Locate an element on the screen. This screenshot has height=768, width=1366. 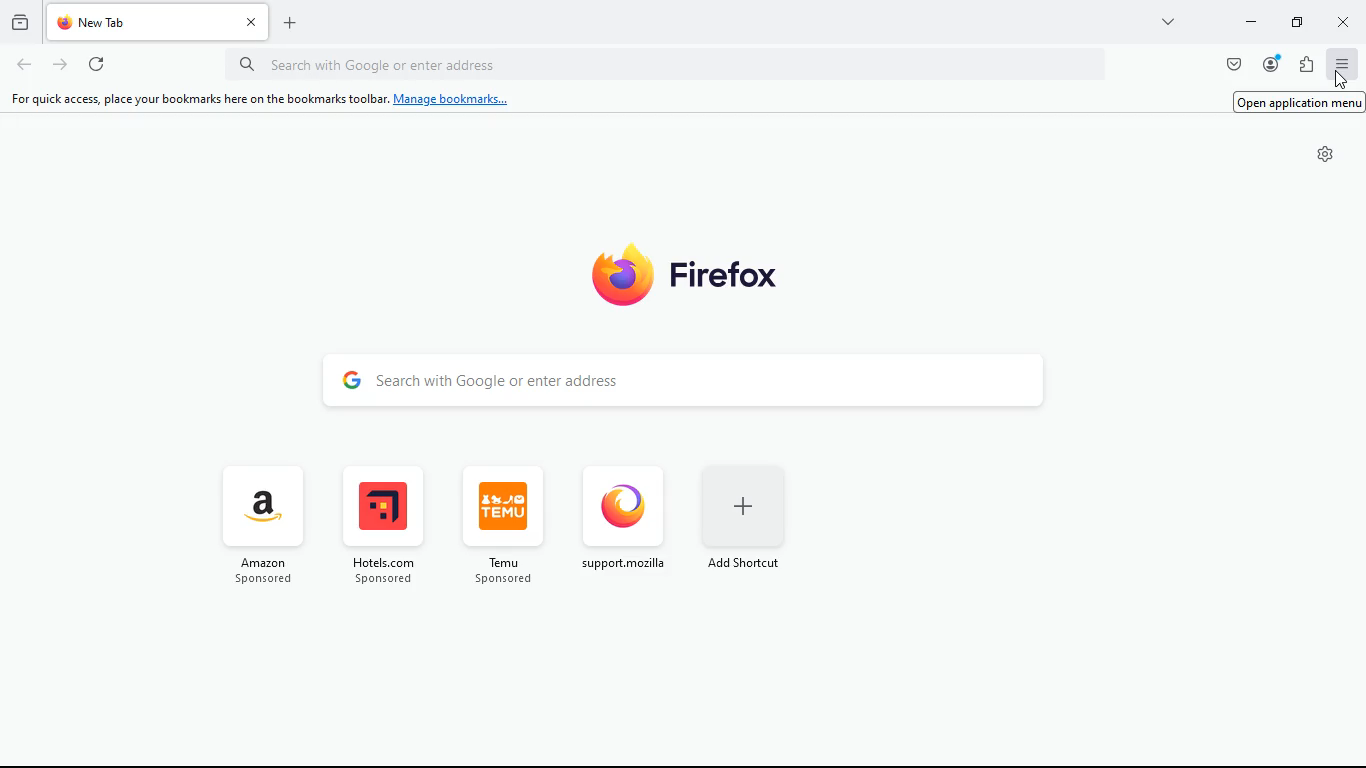
settings is located at coordinates (1325, 154).